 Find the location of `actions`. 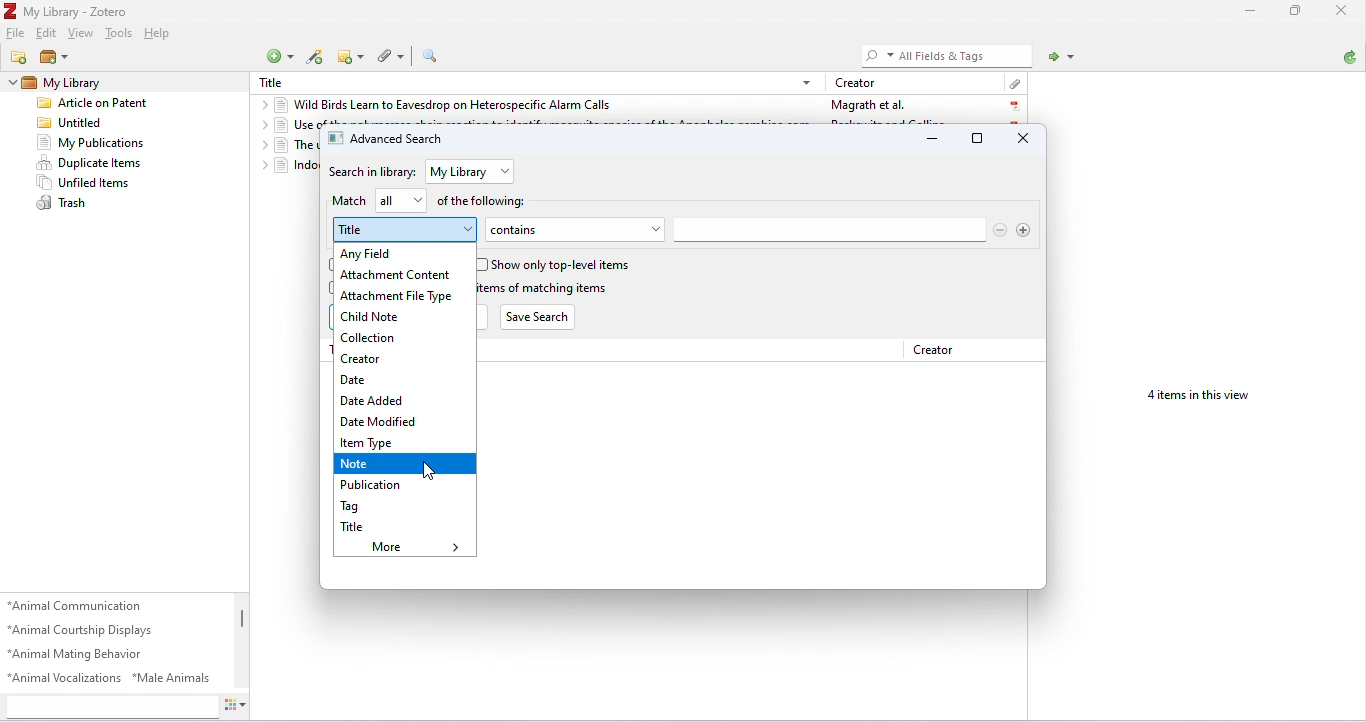

actions is located at coordinates (234, 704).